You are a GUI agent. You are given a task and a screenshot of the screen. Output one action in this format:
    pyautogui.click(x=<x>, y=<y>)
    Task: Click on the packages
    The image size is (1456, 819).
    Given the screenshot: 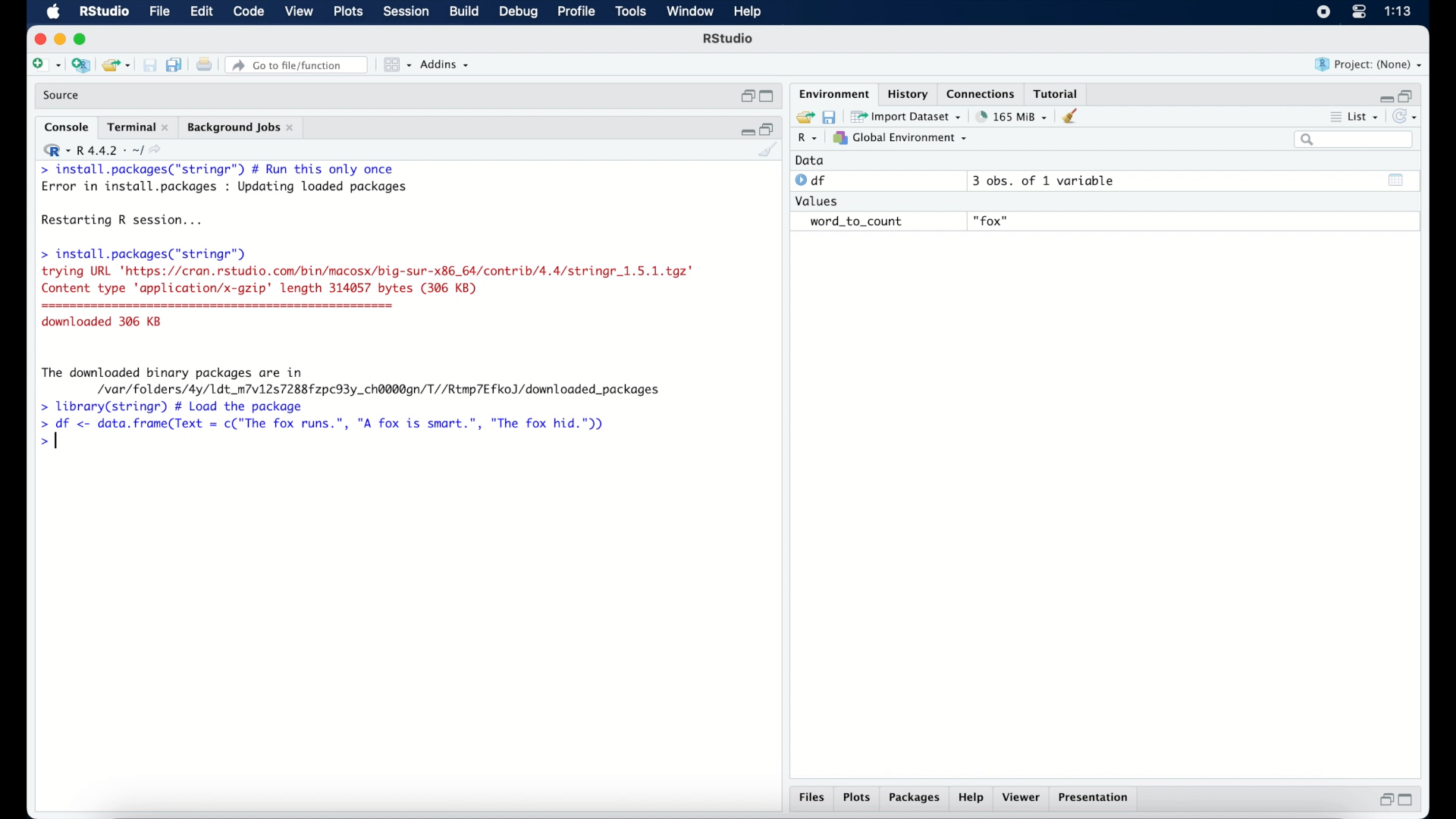 What is the action you would take?
    pyautogui.click(x=915, y=799)
    